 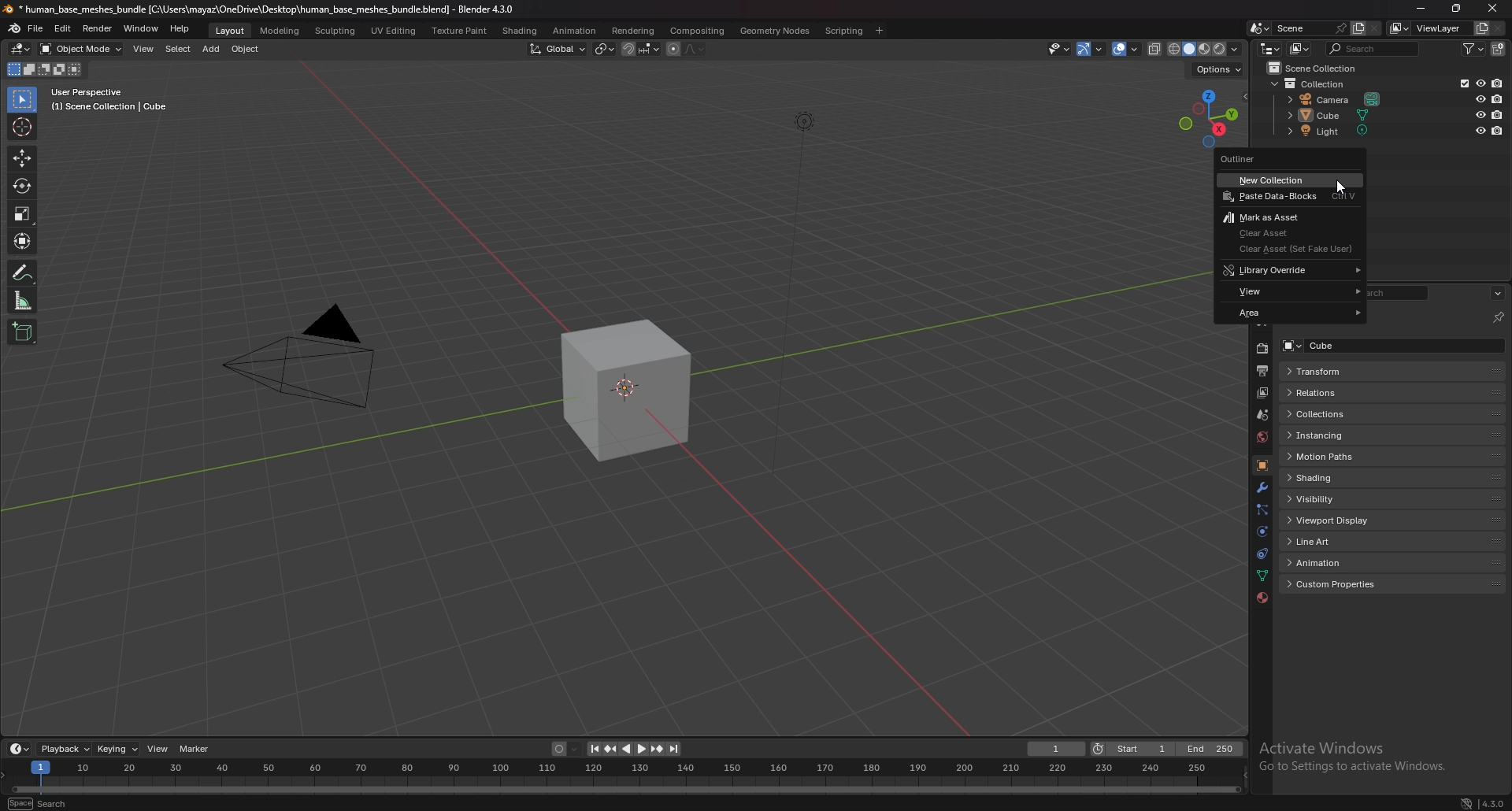 I want to click on options, so click(x=1497, y=294).